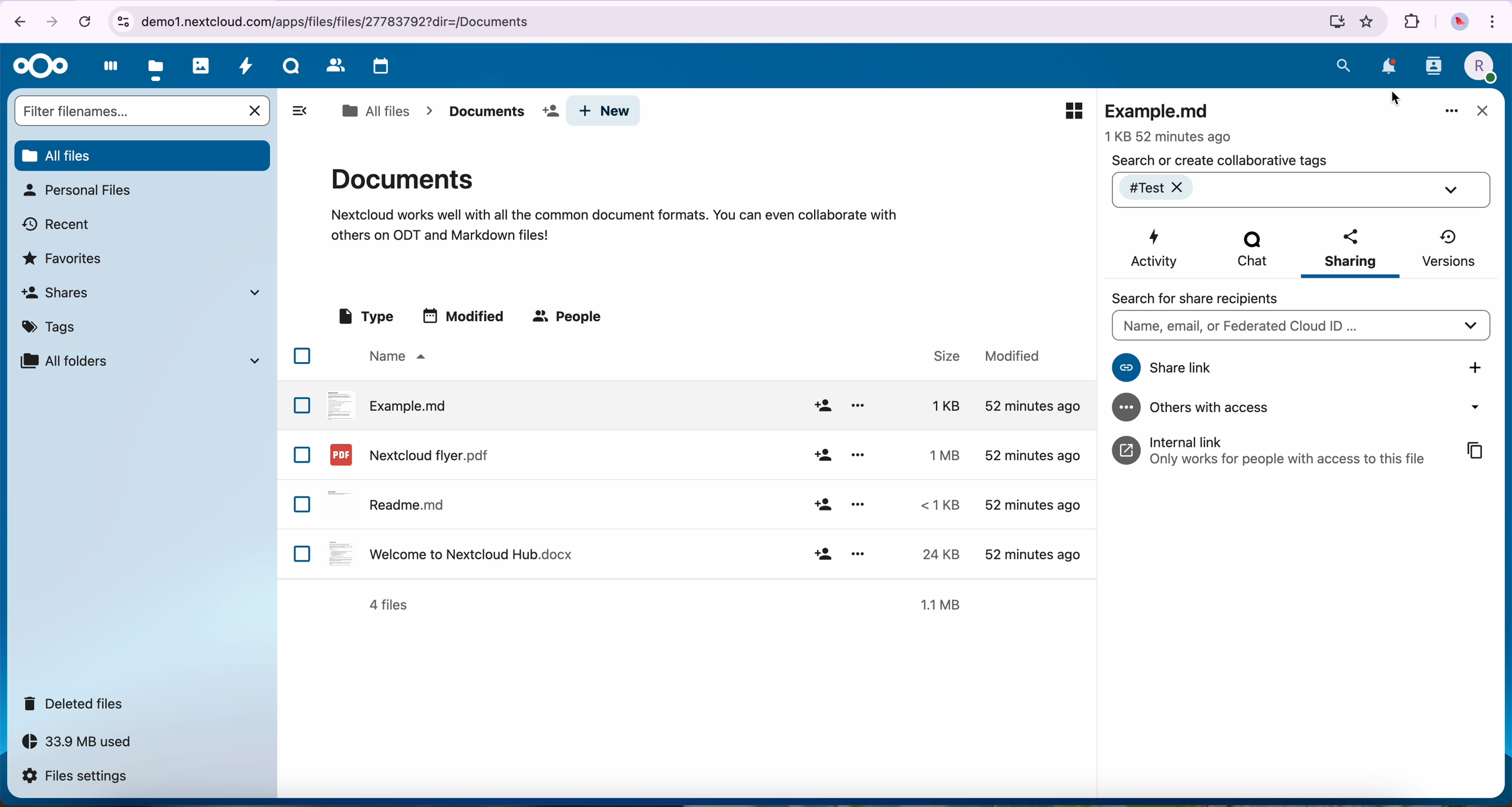 The image size is (1512, 807). I want to click on modified, so click(1032, 507).